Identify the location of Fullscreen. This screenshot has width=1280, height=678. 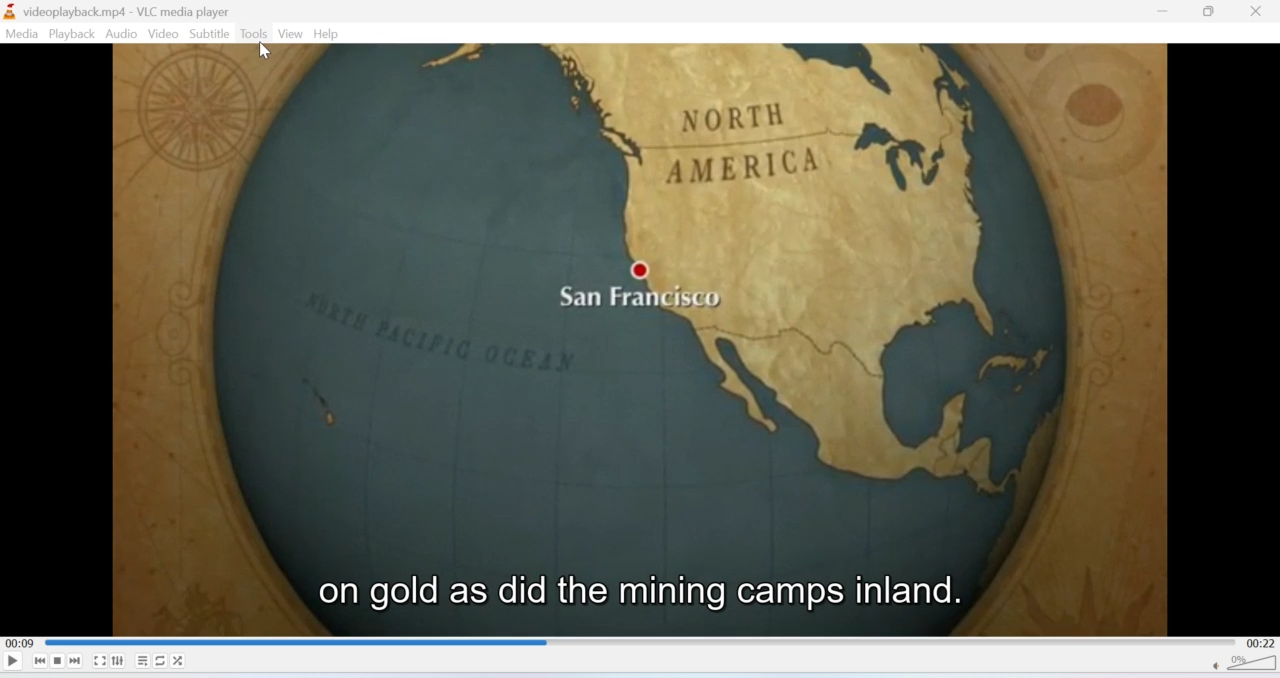
(100, 662).